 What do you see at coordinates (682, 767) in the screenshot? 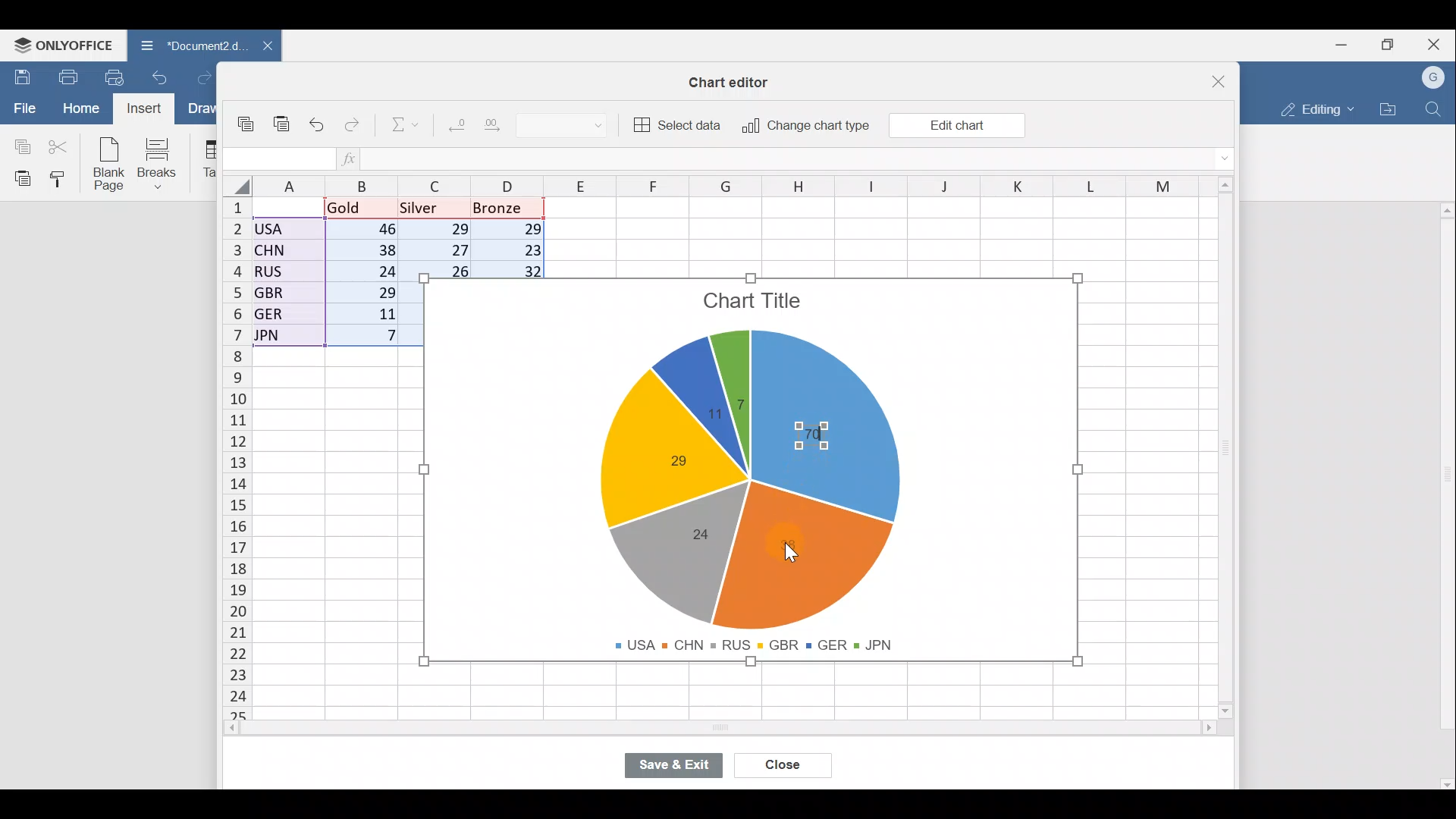
I see `Save & exit` at bounding box center [682, 767].